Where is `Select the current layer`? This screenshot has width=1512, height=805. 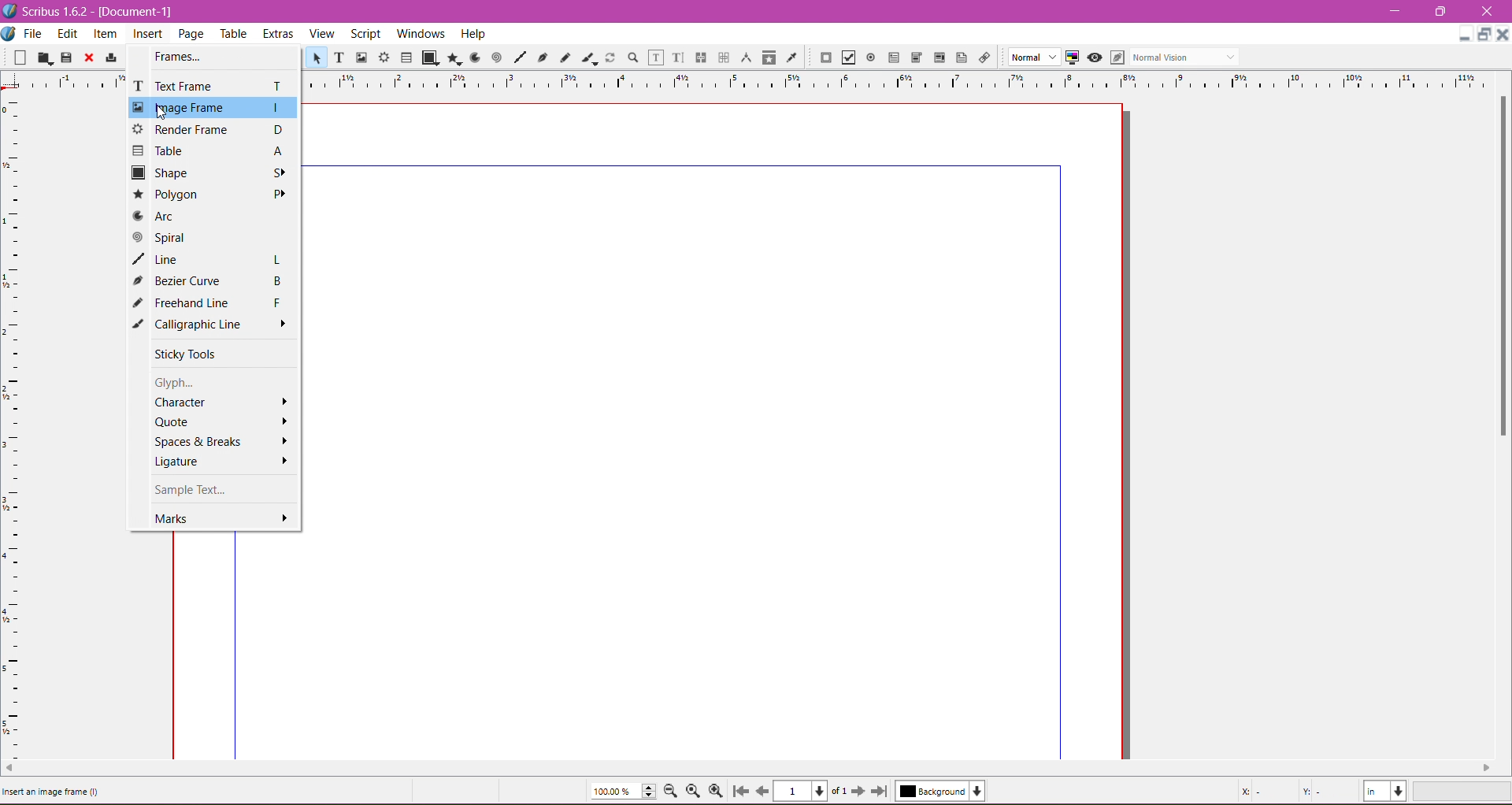 Select the current layer is located at coordinates (940, 791).